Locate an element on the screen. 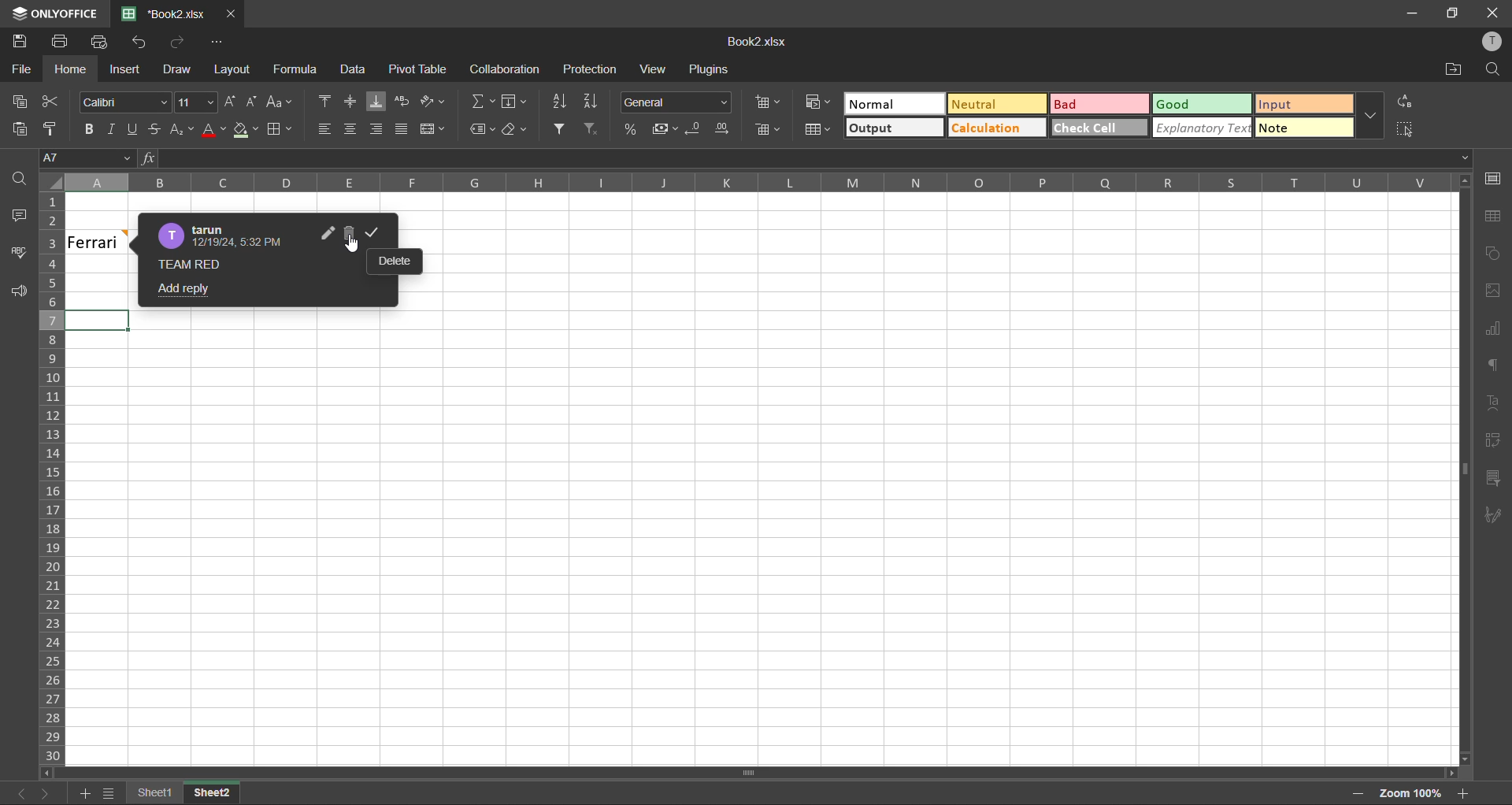  conditional formatting is located at coordinates (819, 102).